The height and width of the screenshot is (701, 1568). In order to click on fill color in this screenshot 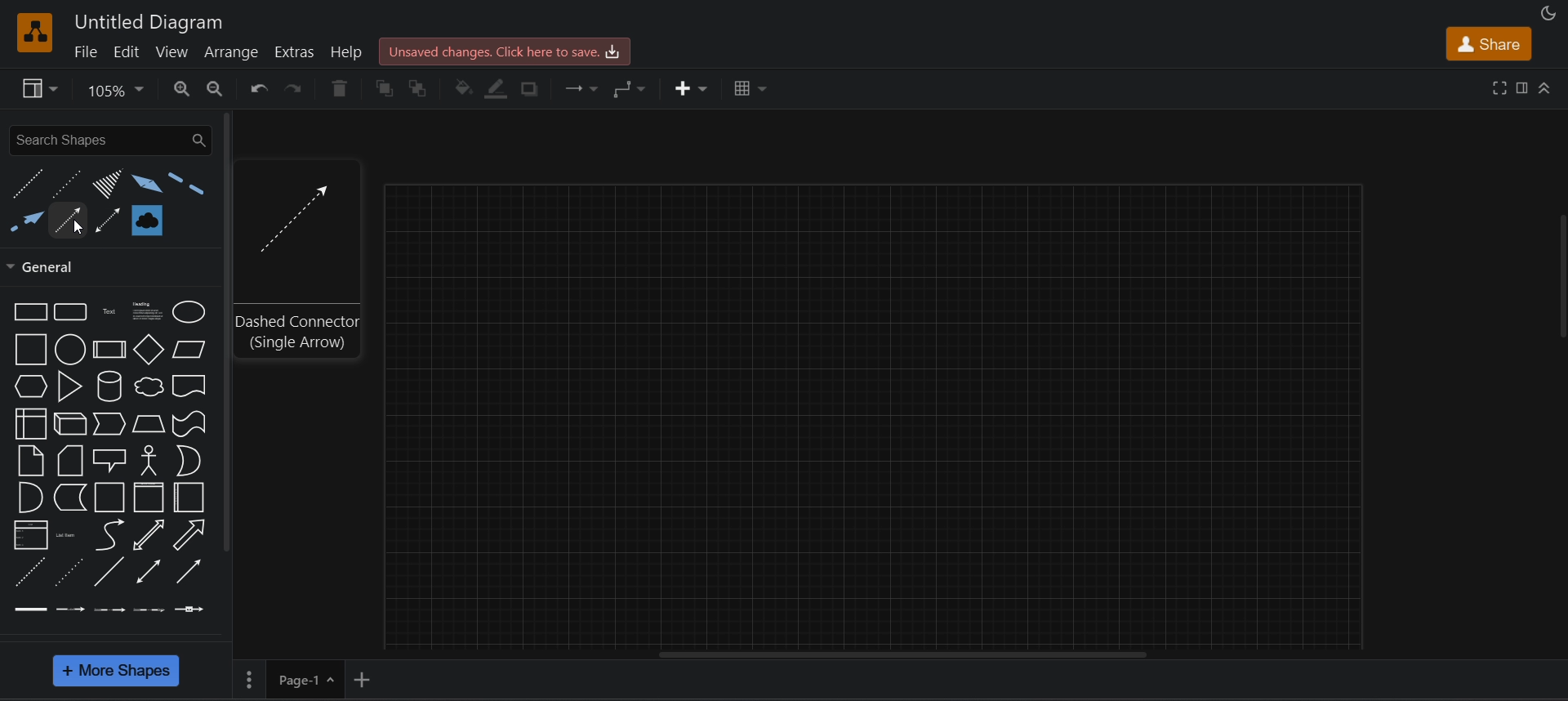, I will do `click(463, 90)`.